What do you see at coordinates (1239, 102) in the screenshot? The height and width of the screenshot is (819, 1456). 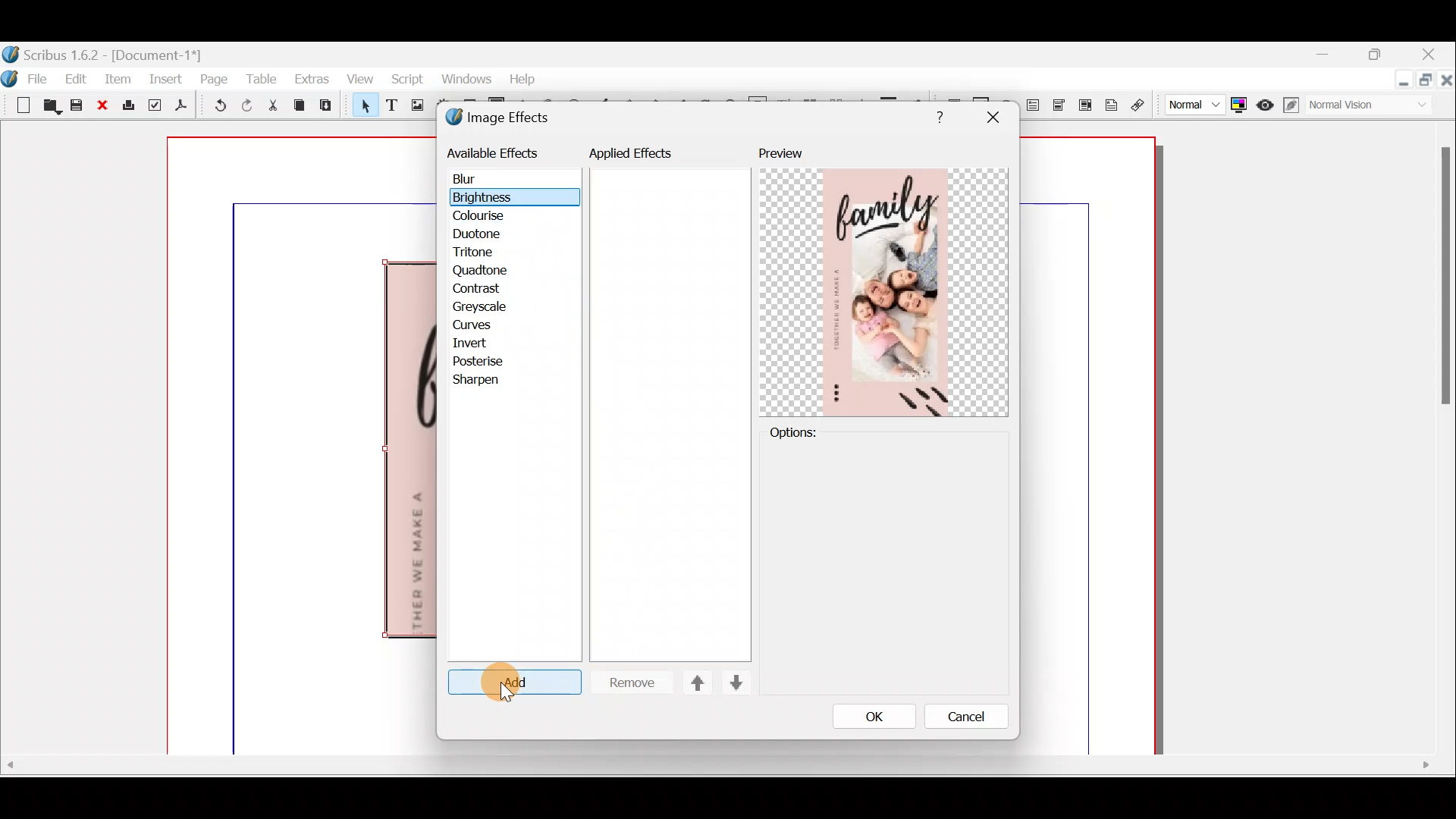 I see `Toggle colour management system` at bounding box center [1239, 102].